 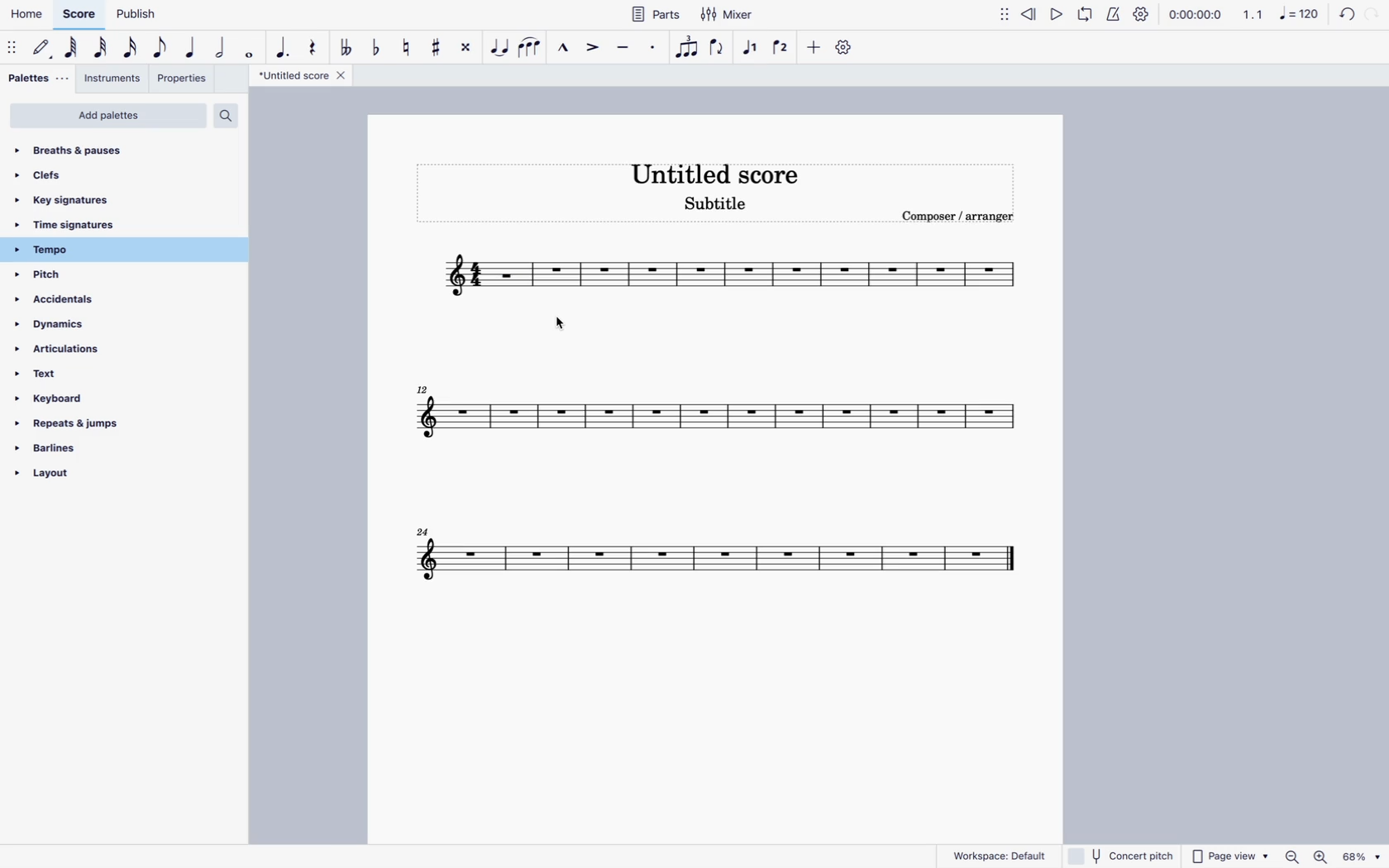 I want to click on , so click(x=1324, y=856).